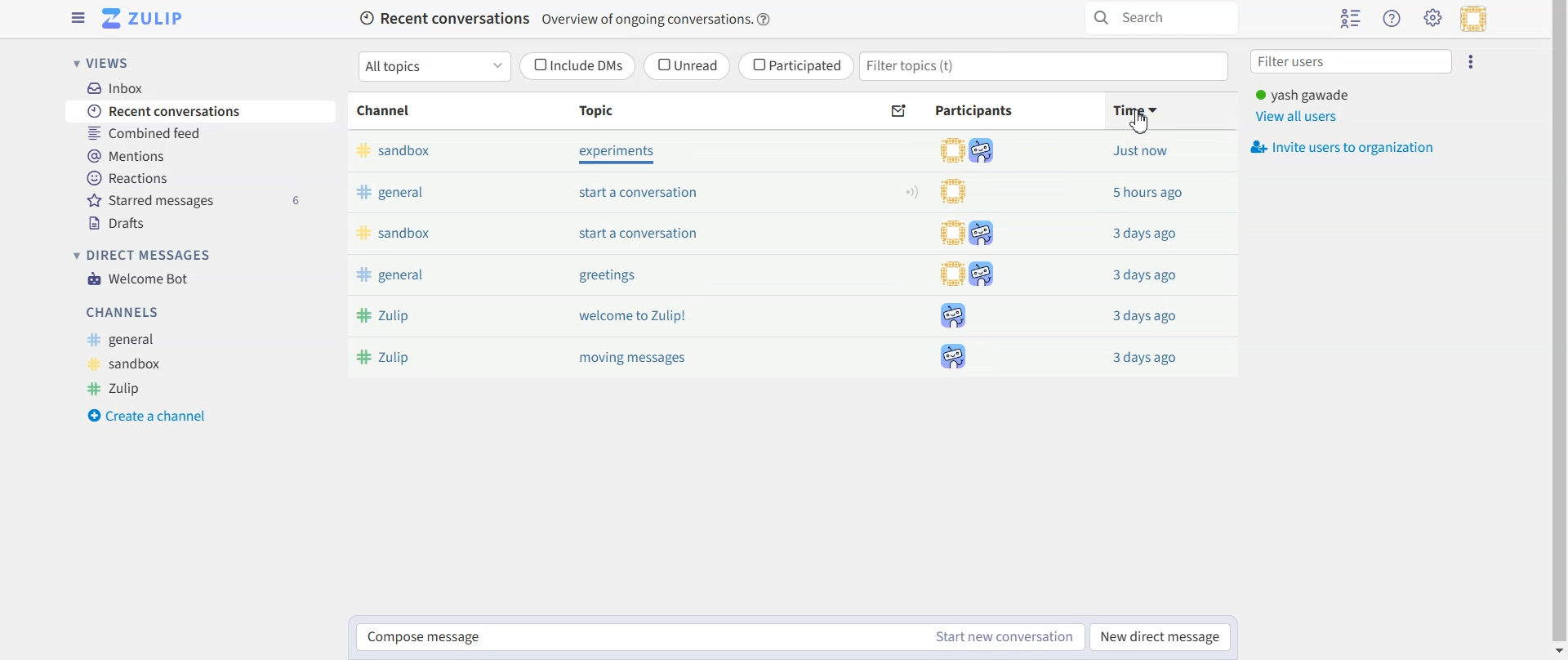 The height and width of the screenshot is (660, 1568). What do you see at coordinates (201, 133) in the screenshot?
I see `Combined feed` at bounding box center [201, 133].